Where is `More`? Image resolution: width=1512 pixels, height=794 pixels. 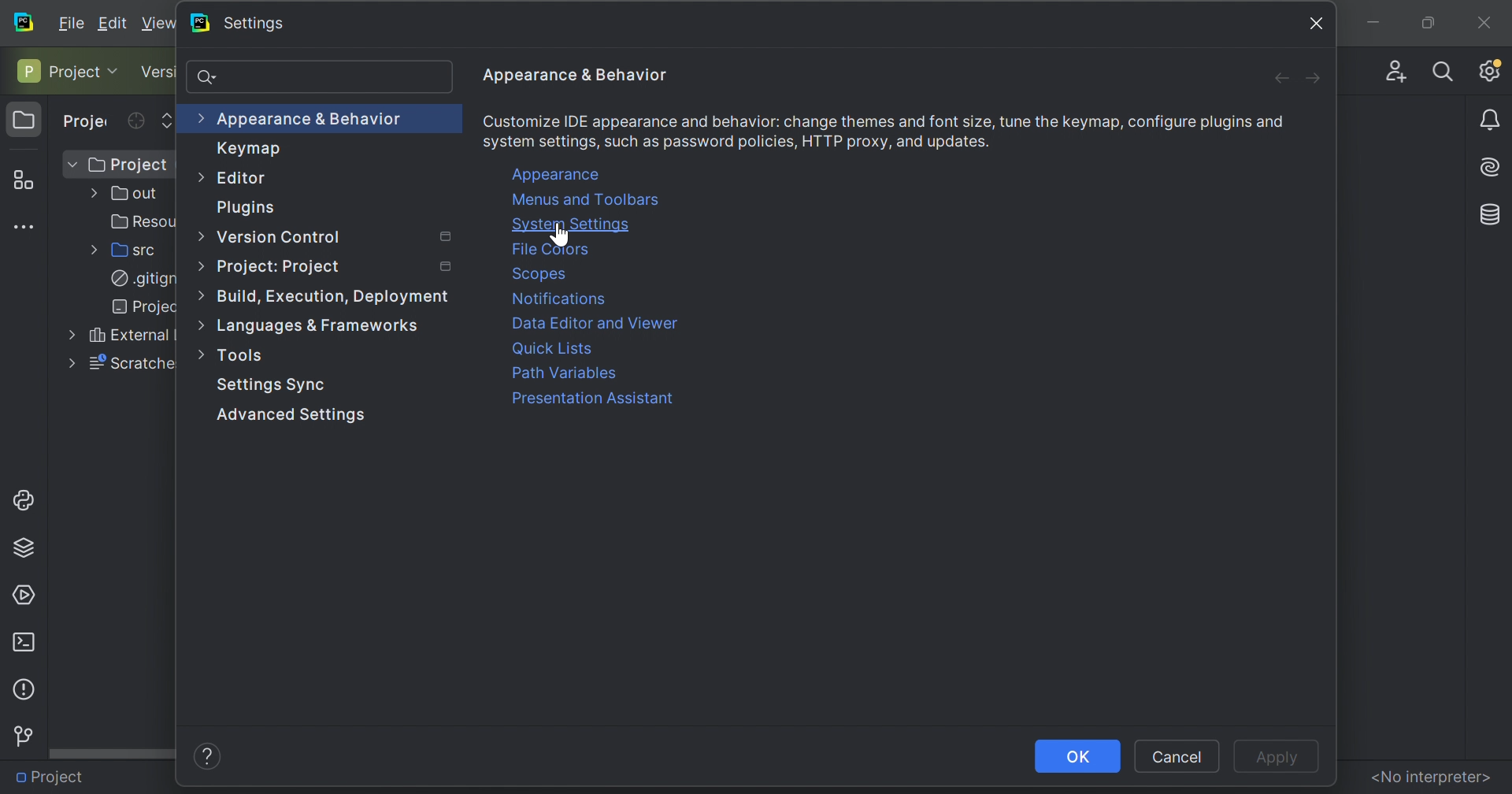 More is located at coordinates (197, 175).